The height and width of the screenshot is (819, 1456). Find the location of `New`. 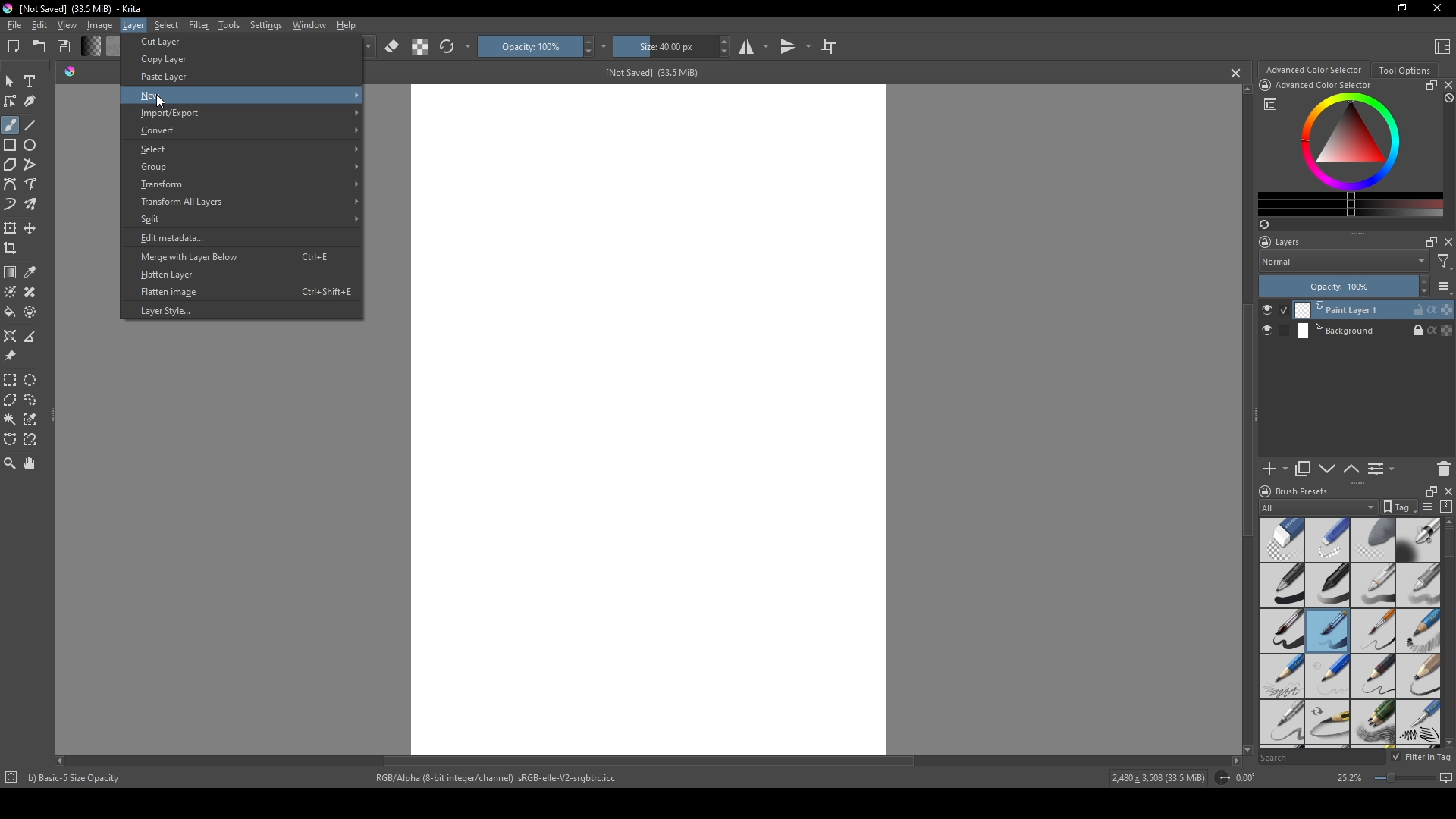

New is located at coordinates (246, 96).